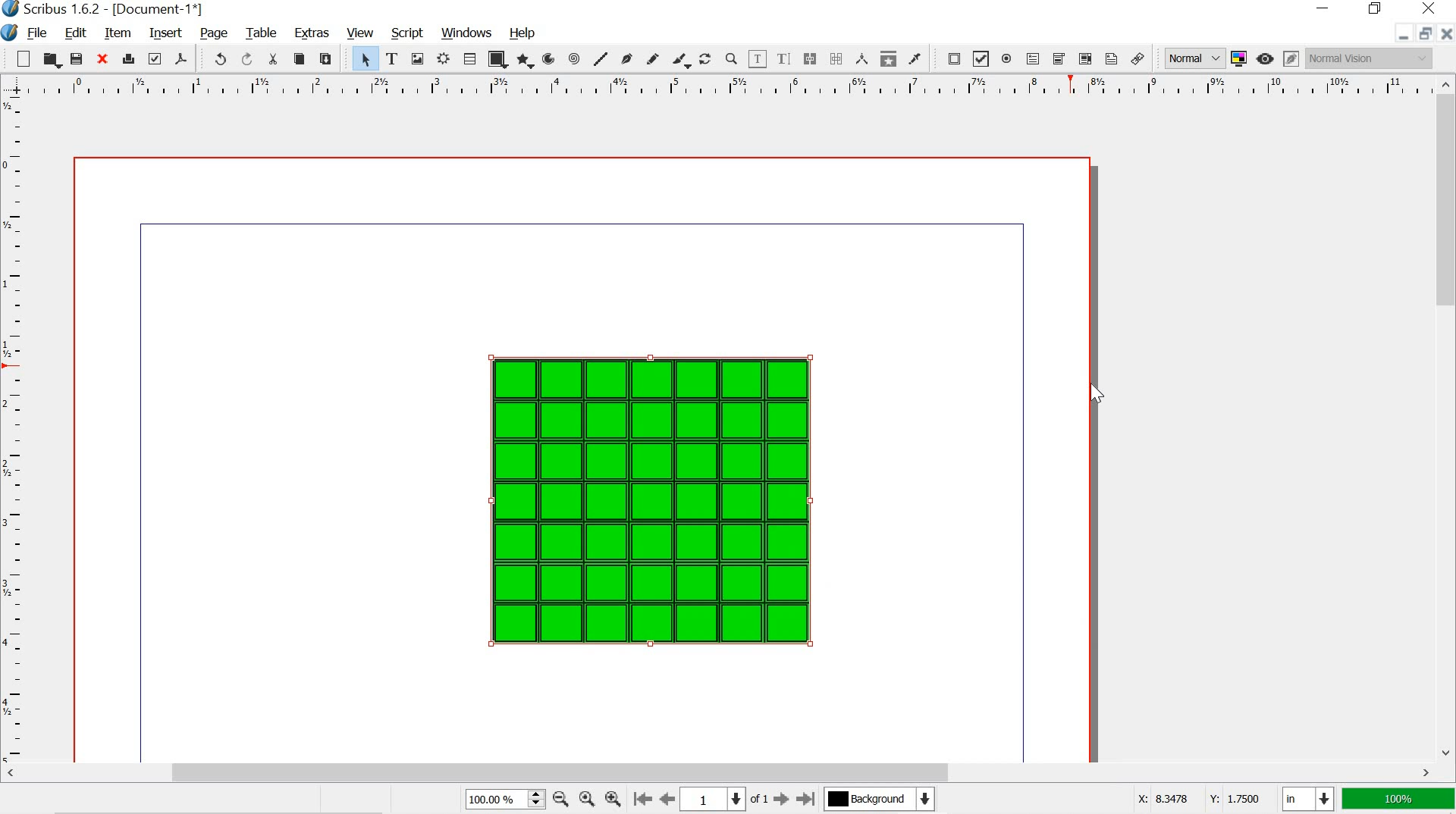 The height and width of the screenshot is (814, 1456). What do you see at coordinates (654, 58) in the screenshot?
I see `freehand line` at bounding box center [654, 58].